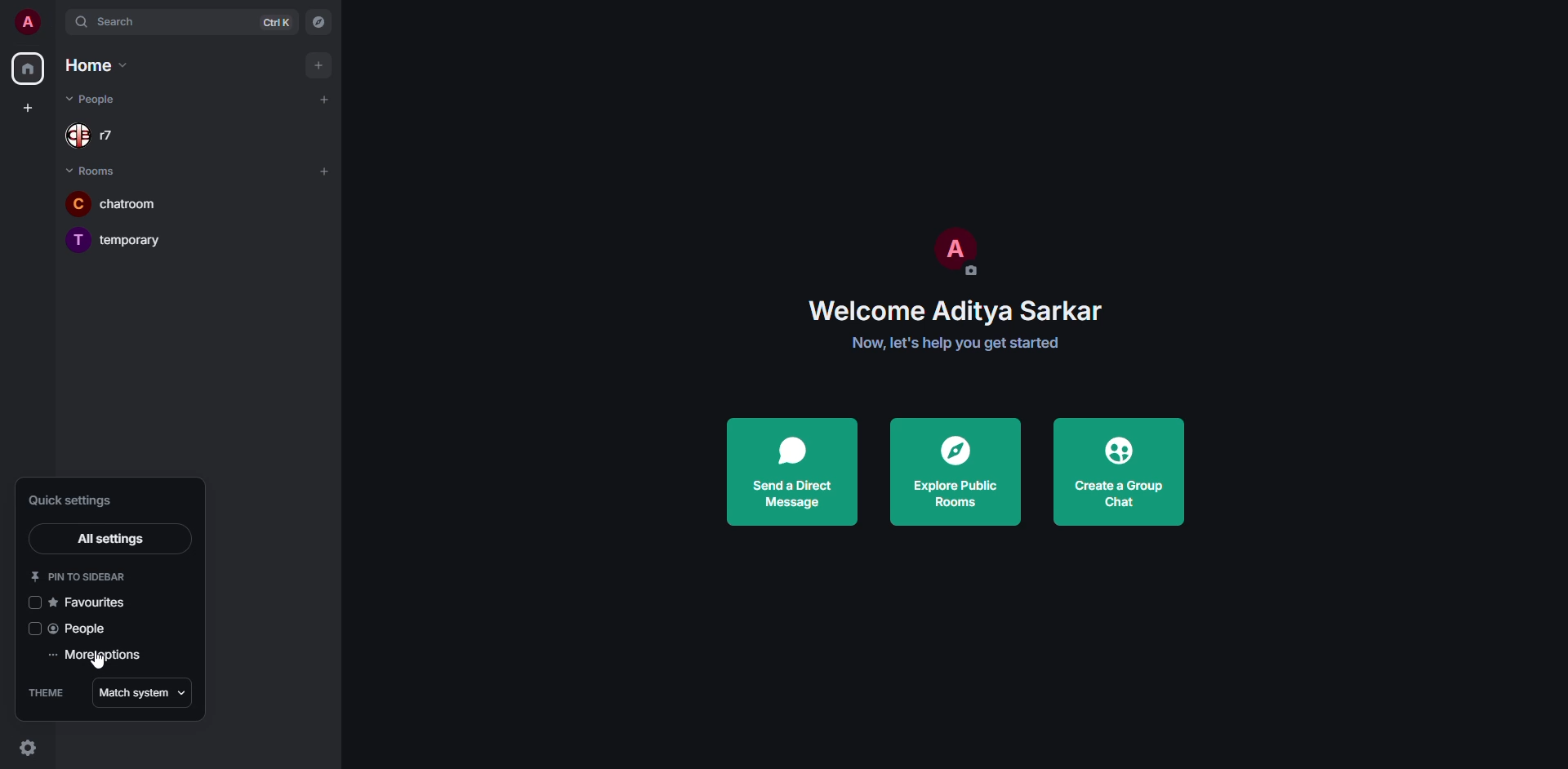 The image size is (1568, 769). What do you see at coordinates (1125, 471) in the screenshot?
I see `create a group chat` at bounding box center [1125, 471].